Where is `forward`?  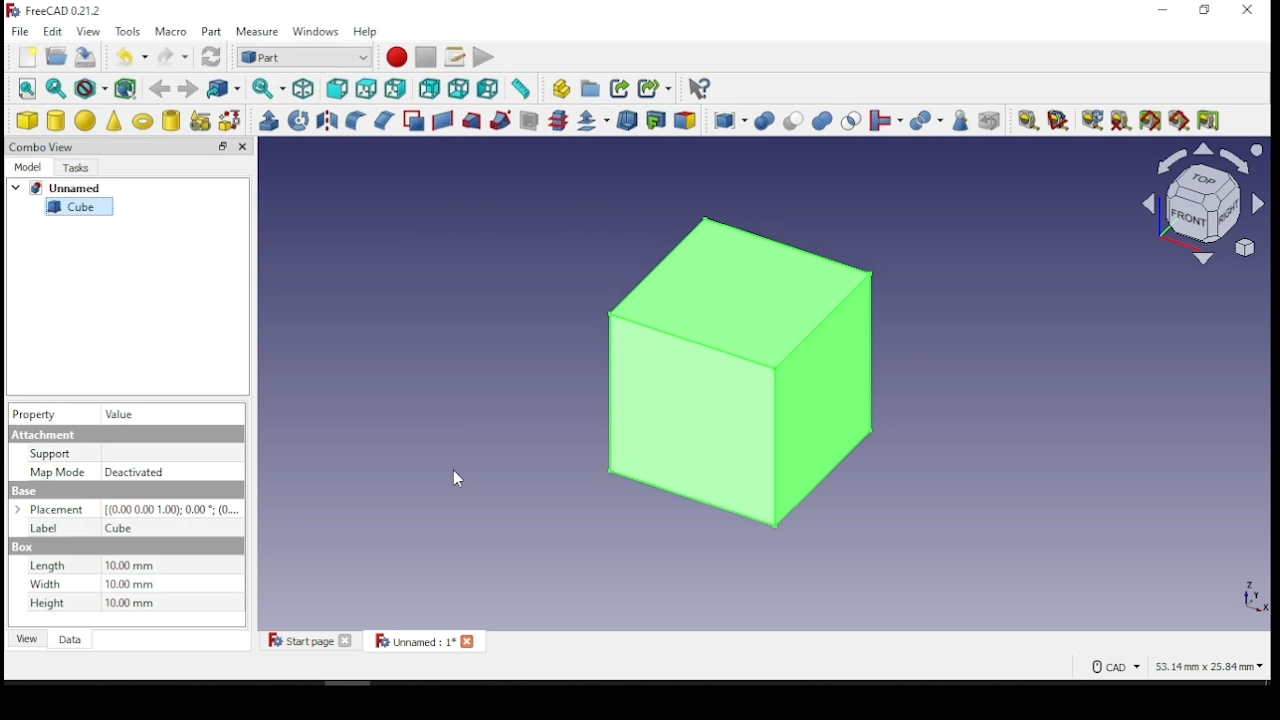 forward is located at coordinates (187, 89).